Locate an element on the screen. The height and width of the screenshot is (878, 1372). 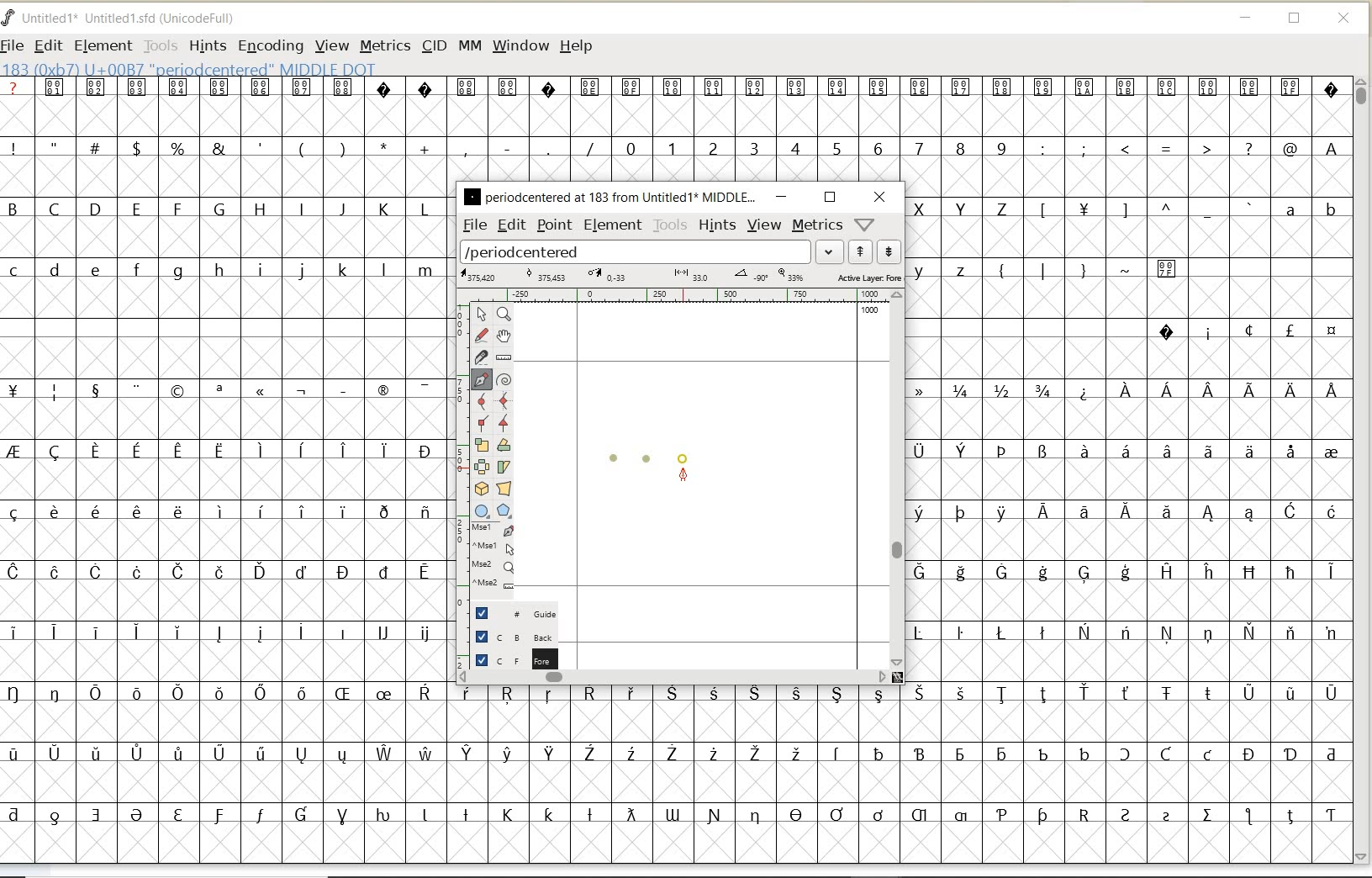
background is located at coordinates (509, 637).